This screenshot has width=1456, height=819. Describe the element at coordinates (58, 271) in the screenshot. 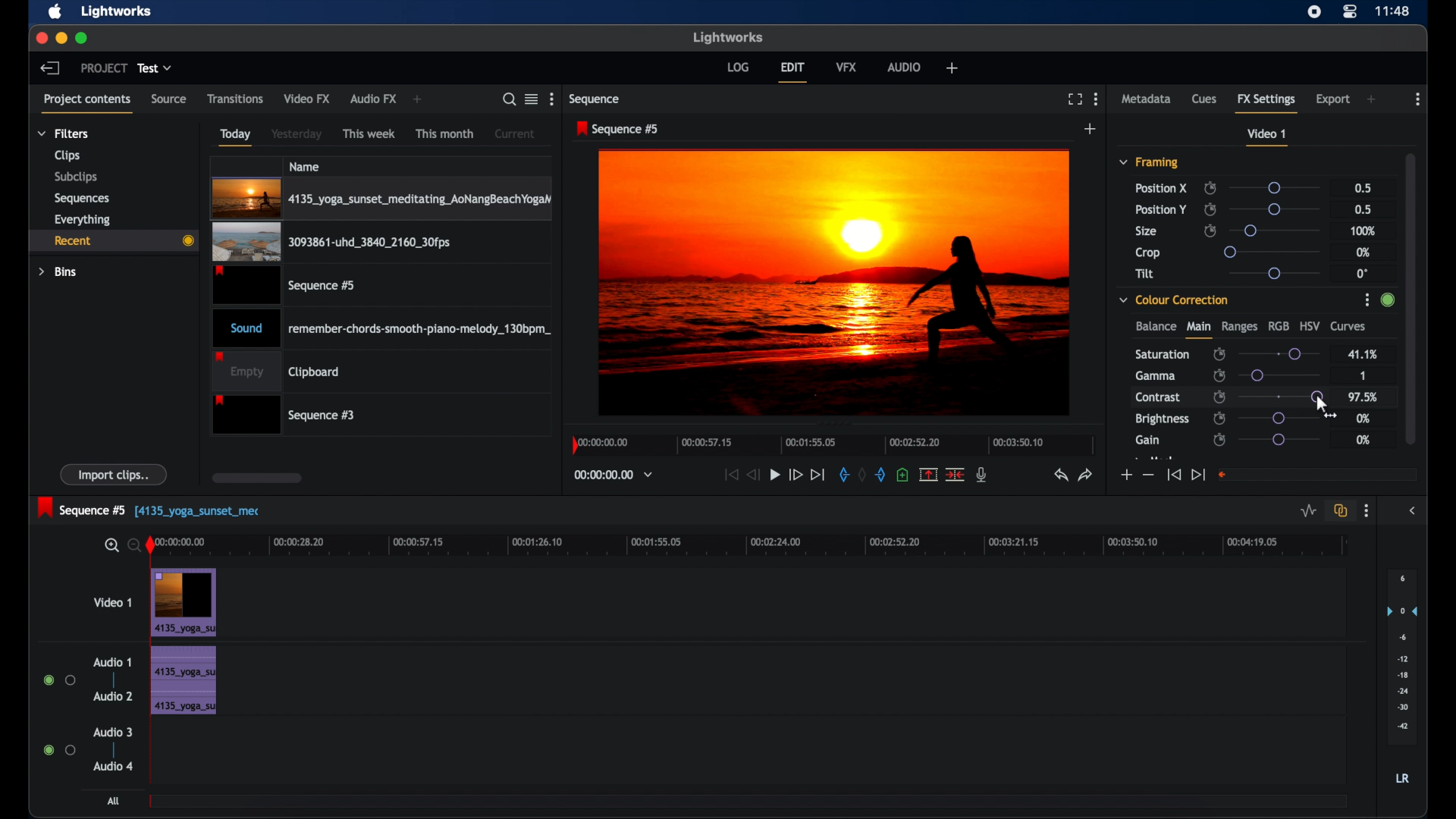

I see `bins` at that location.